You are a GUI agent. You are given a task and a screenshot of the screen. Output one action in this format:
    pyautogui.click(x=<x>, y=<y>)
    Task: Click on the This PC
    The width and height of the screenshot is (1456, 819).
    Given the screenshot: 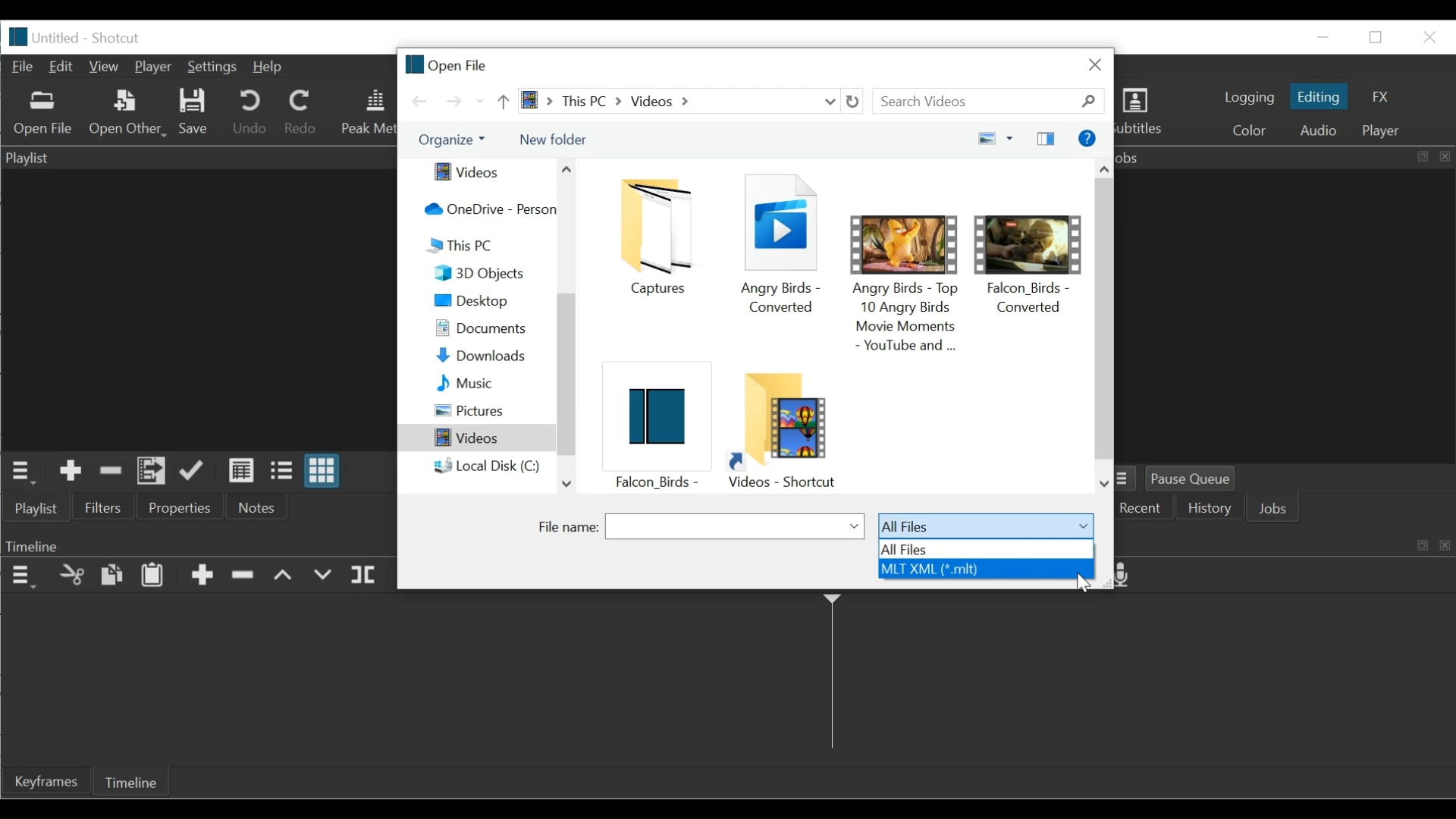 What is the action you would take?
    pyautogui.click(x=485, y=246)
    